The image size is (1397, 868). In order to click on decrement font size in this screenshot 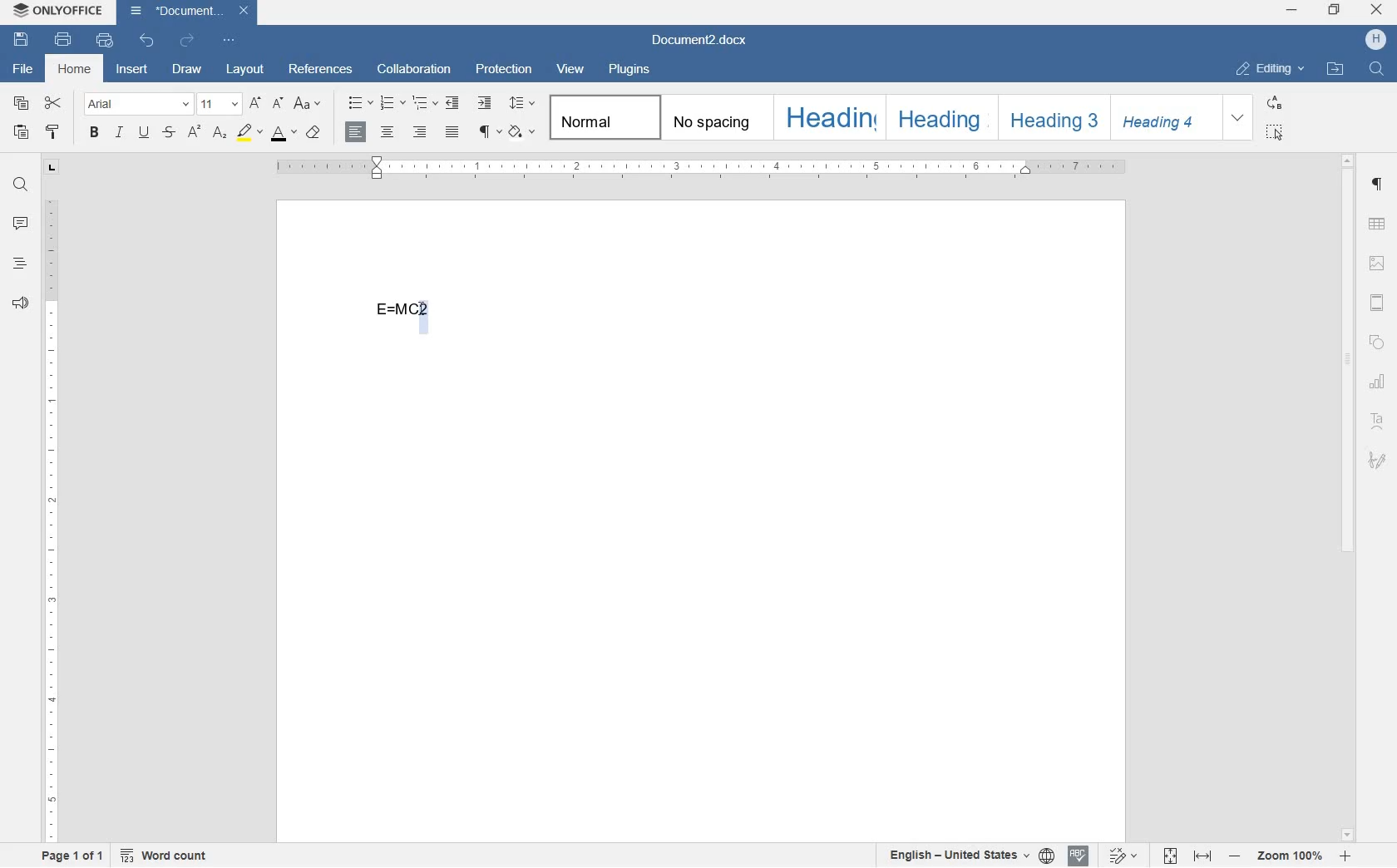, I will do `click(276, 103)`.